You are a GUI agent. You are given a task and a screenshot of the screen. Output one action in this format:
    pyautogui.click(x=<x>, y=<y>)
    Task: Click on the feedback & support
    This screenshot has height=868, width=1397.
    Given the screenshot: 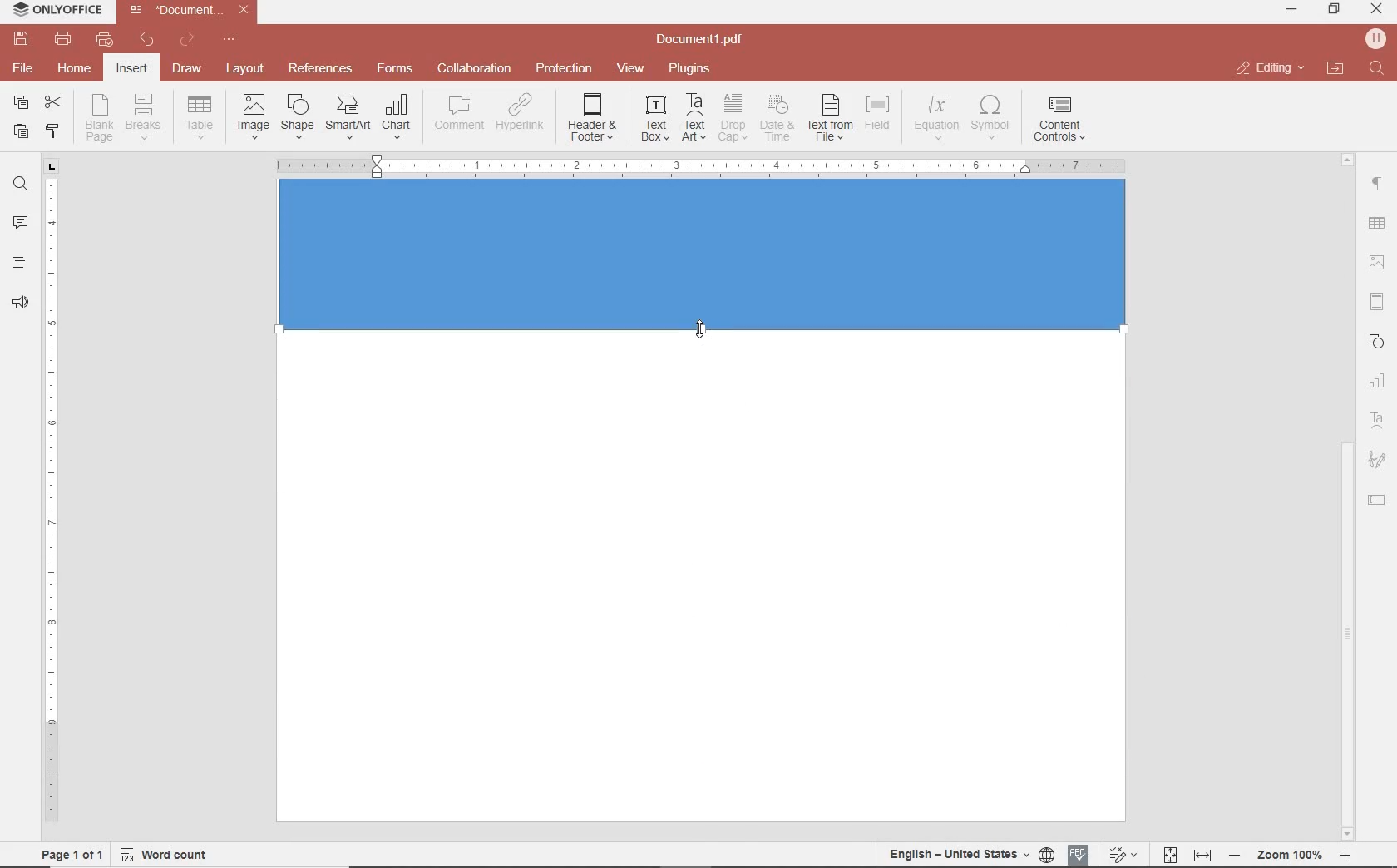 What is the action you would take?
    pyautogui.click(x=21, y=303)
    